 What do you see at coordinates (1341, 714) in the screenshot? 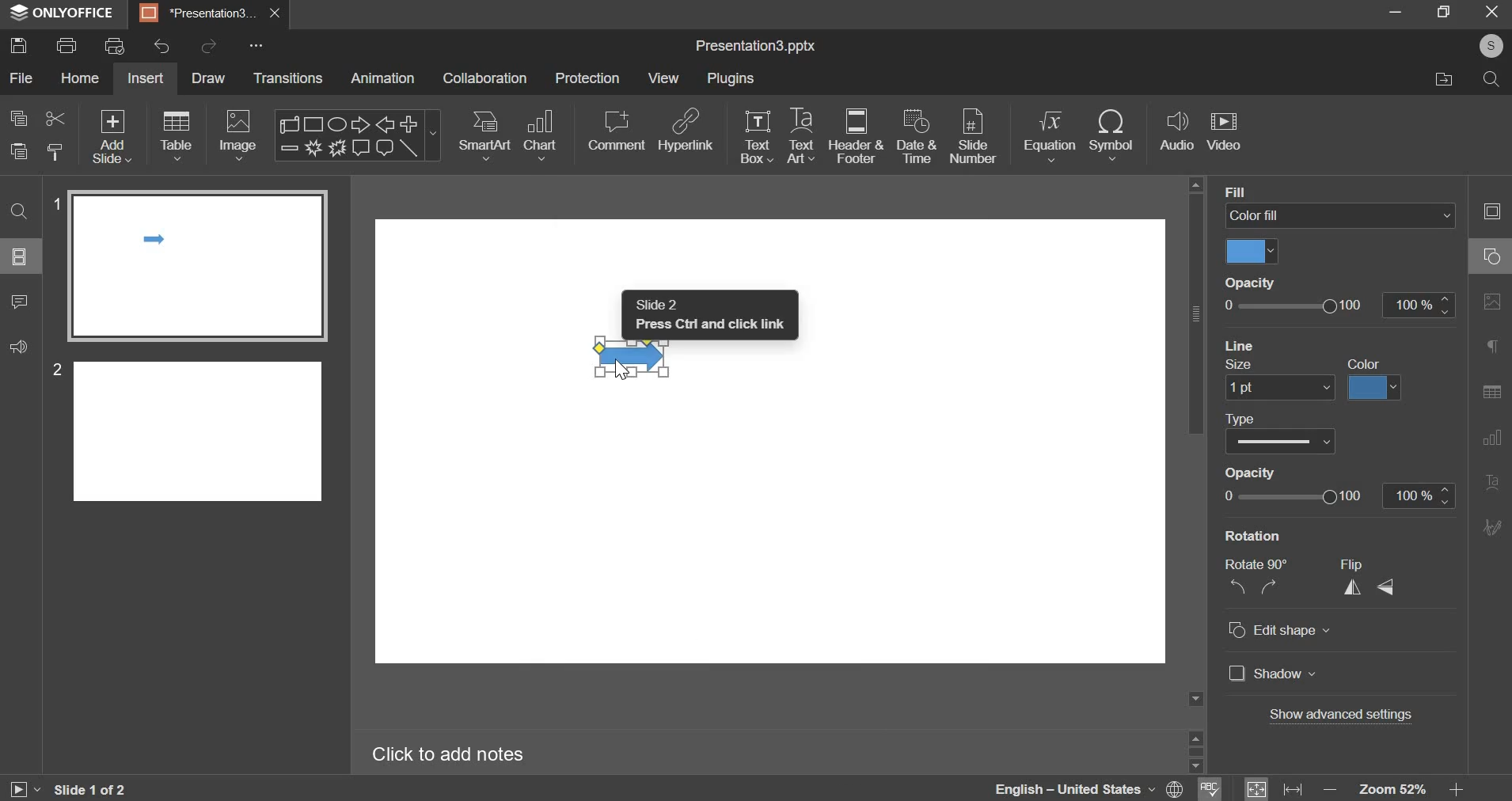
I see `show advanced settings` at bounding box center [1341, 714].